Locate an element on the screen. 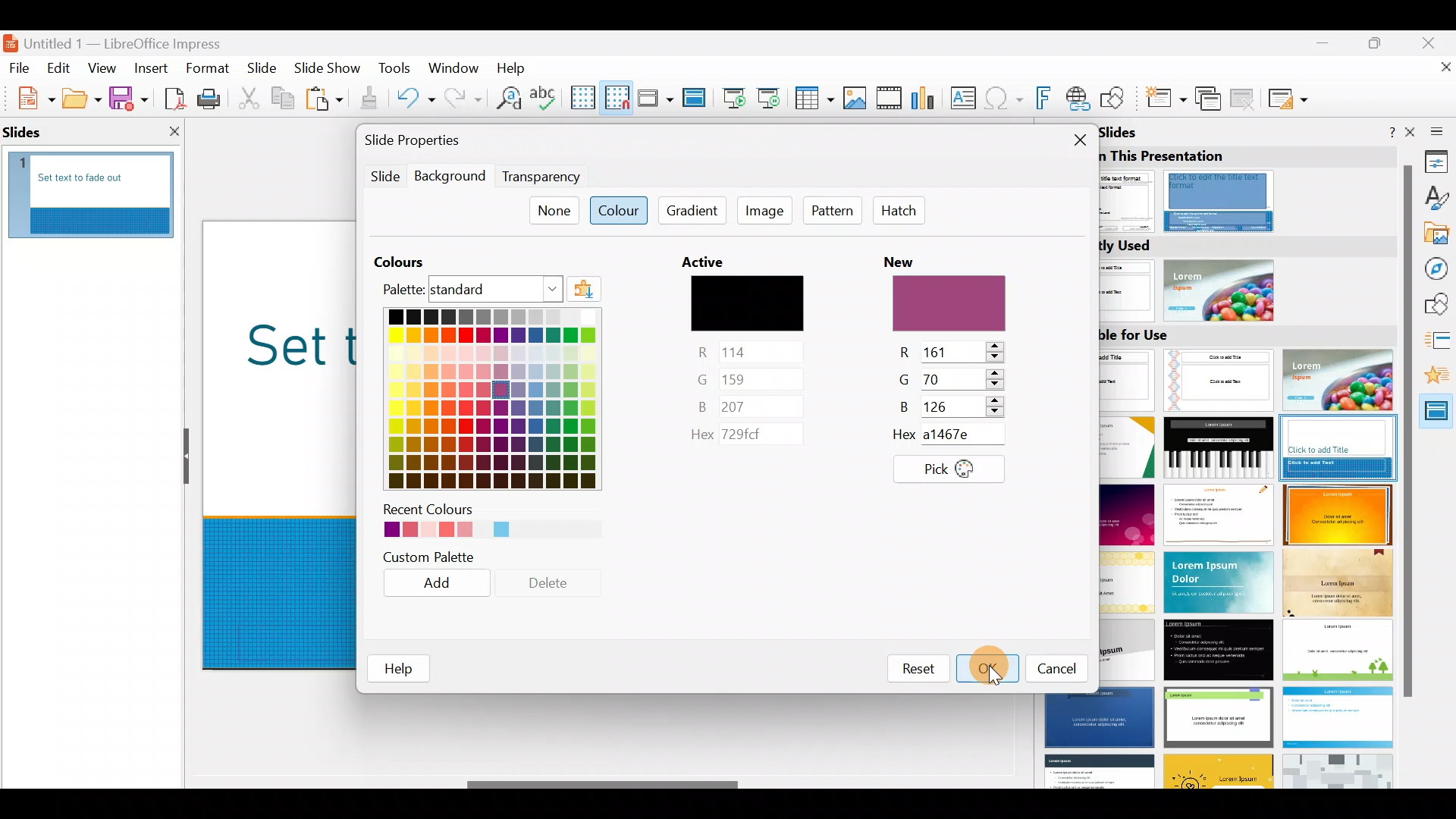 The width and height of the screenshot is (1456, 819). Slide is located at coordinates (263, 70).